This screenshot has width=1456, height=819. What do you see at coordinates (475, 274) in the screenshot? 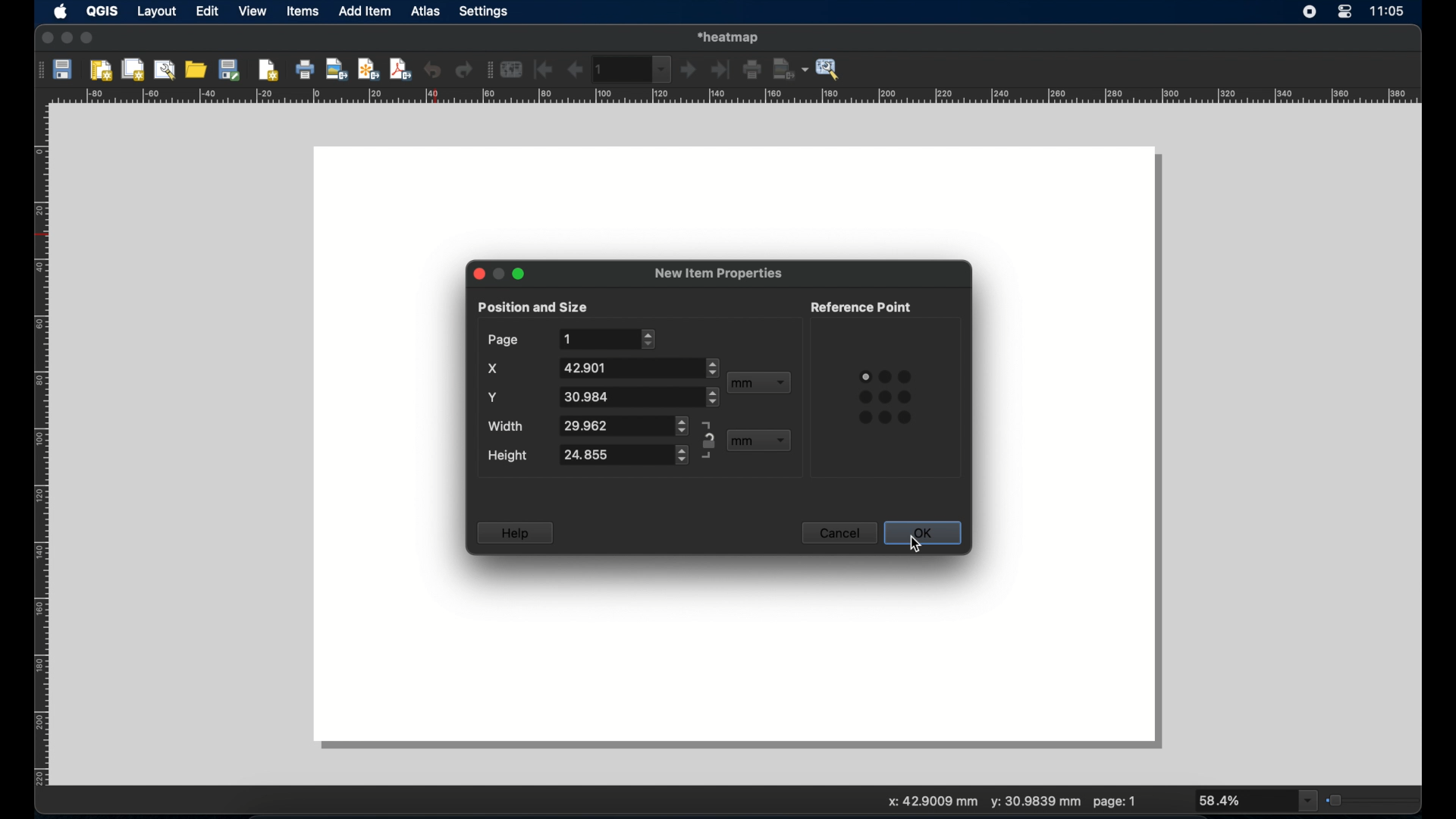
I see `close` at bounding box center [475, 274].